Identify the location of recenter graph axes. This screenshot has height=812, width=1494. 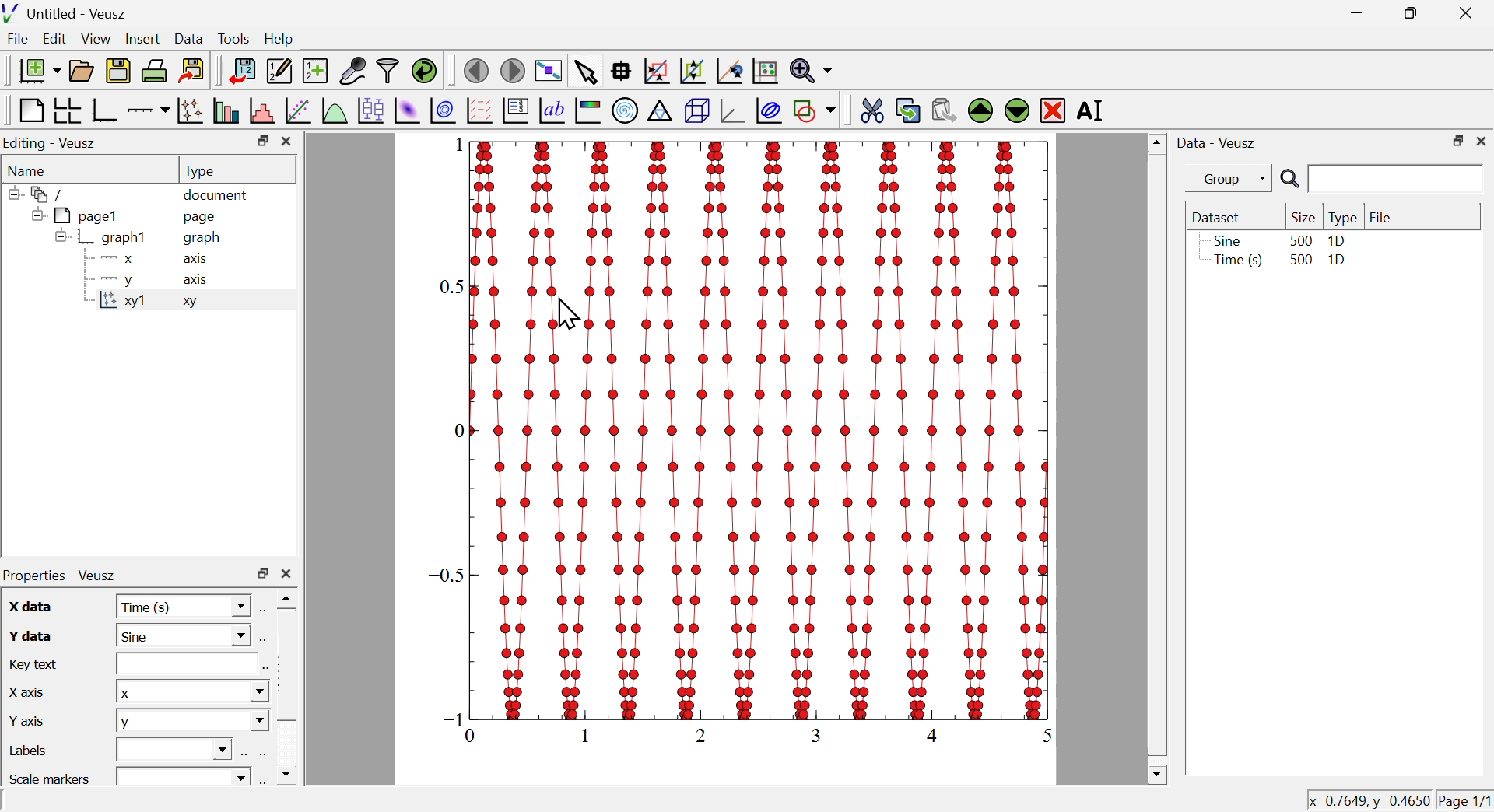
(731, 71).